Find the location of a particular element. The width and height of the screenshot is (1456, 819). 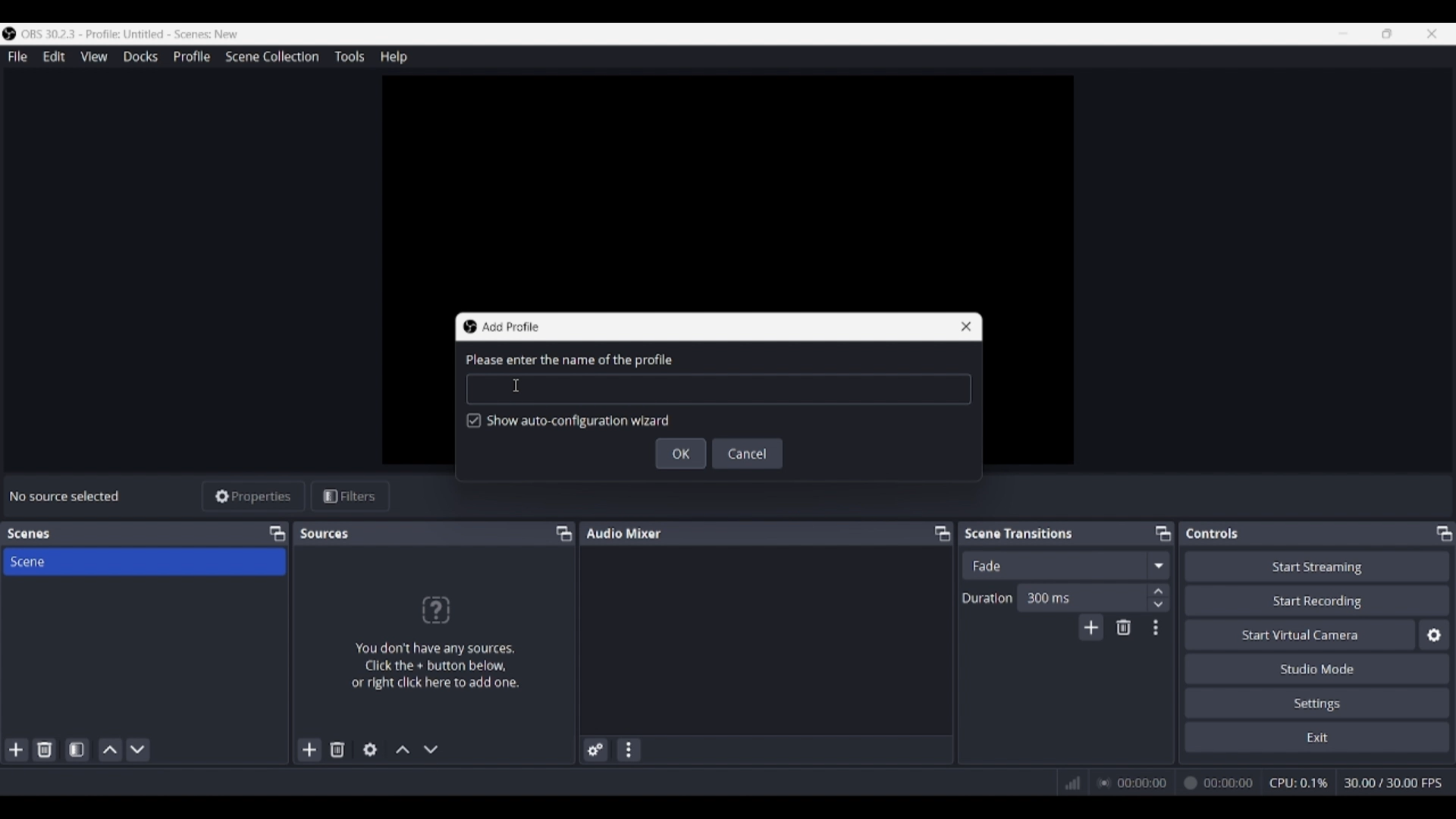

Add scene is located at coordinates (17, 750).